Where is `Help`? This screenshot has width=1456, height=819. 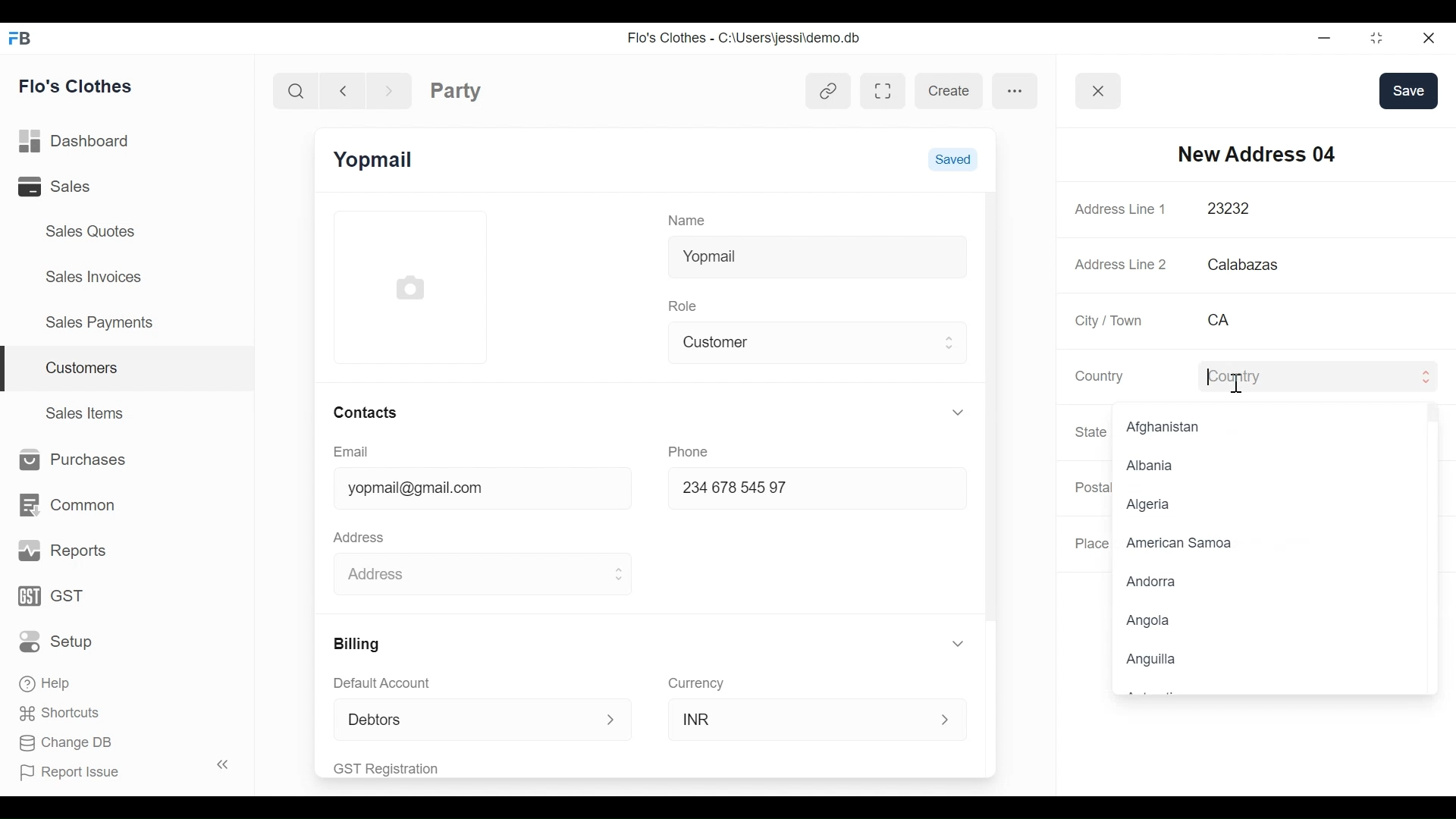 Help is located at coordinates (47, 681).